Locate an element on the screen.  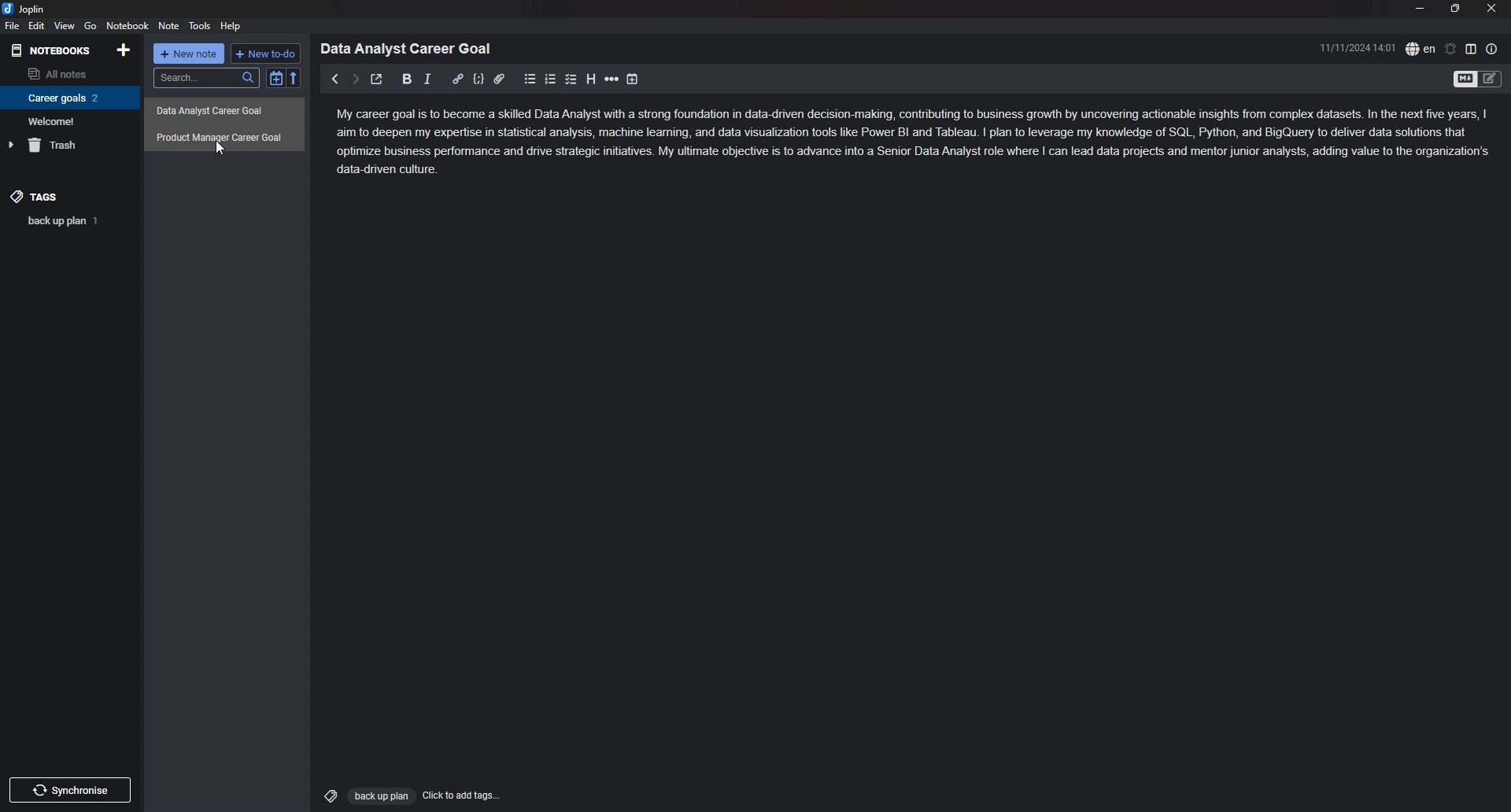
italic is located at coordinates (427, 79).